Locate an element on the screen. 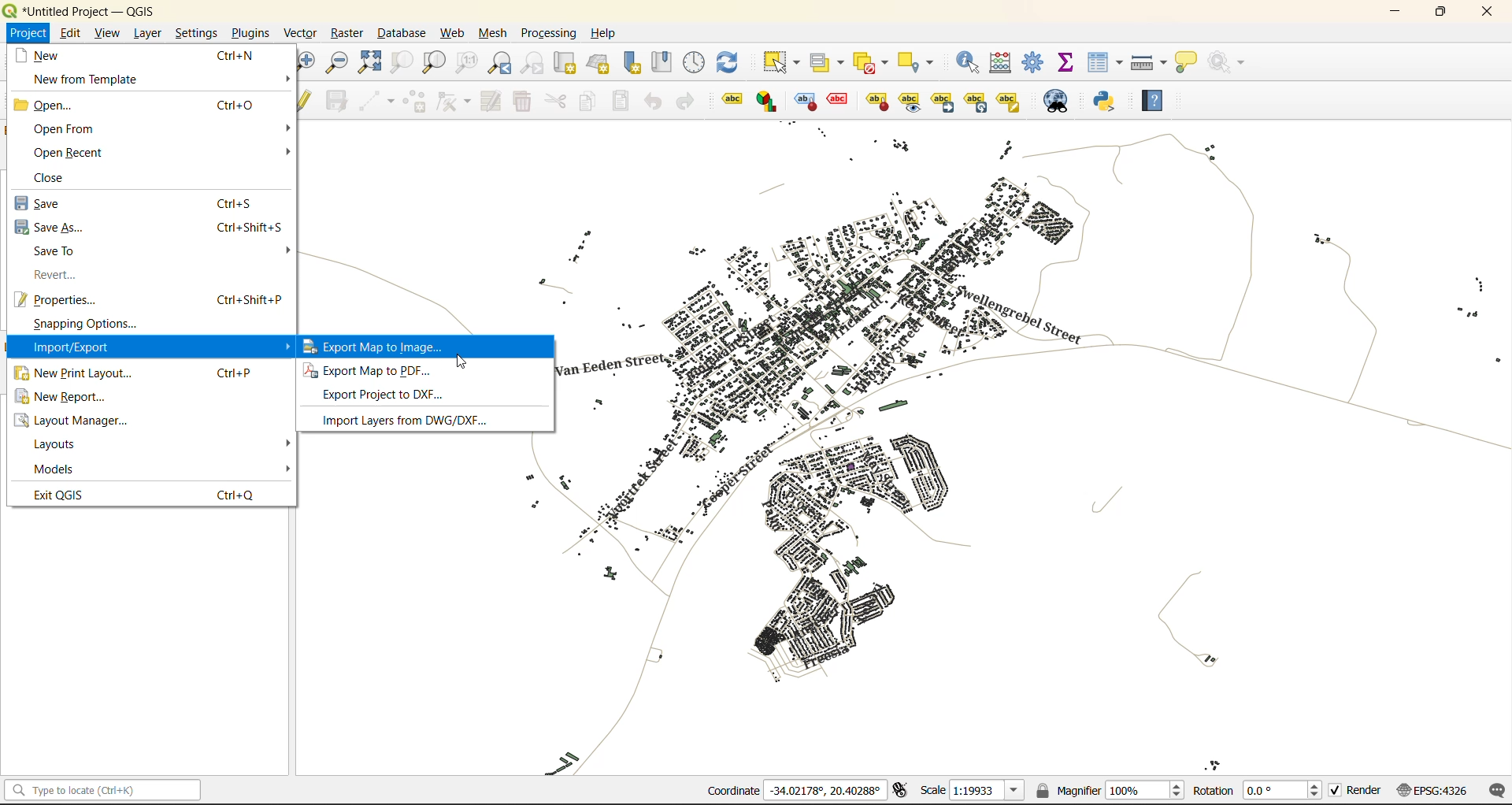 This screenshot has height=805, width=1512. processing is located at coordinates (551, 35).